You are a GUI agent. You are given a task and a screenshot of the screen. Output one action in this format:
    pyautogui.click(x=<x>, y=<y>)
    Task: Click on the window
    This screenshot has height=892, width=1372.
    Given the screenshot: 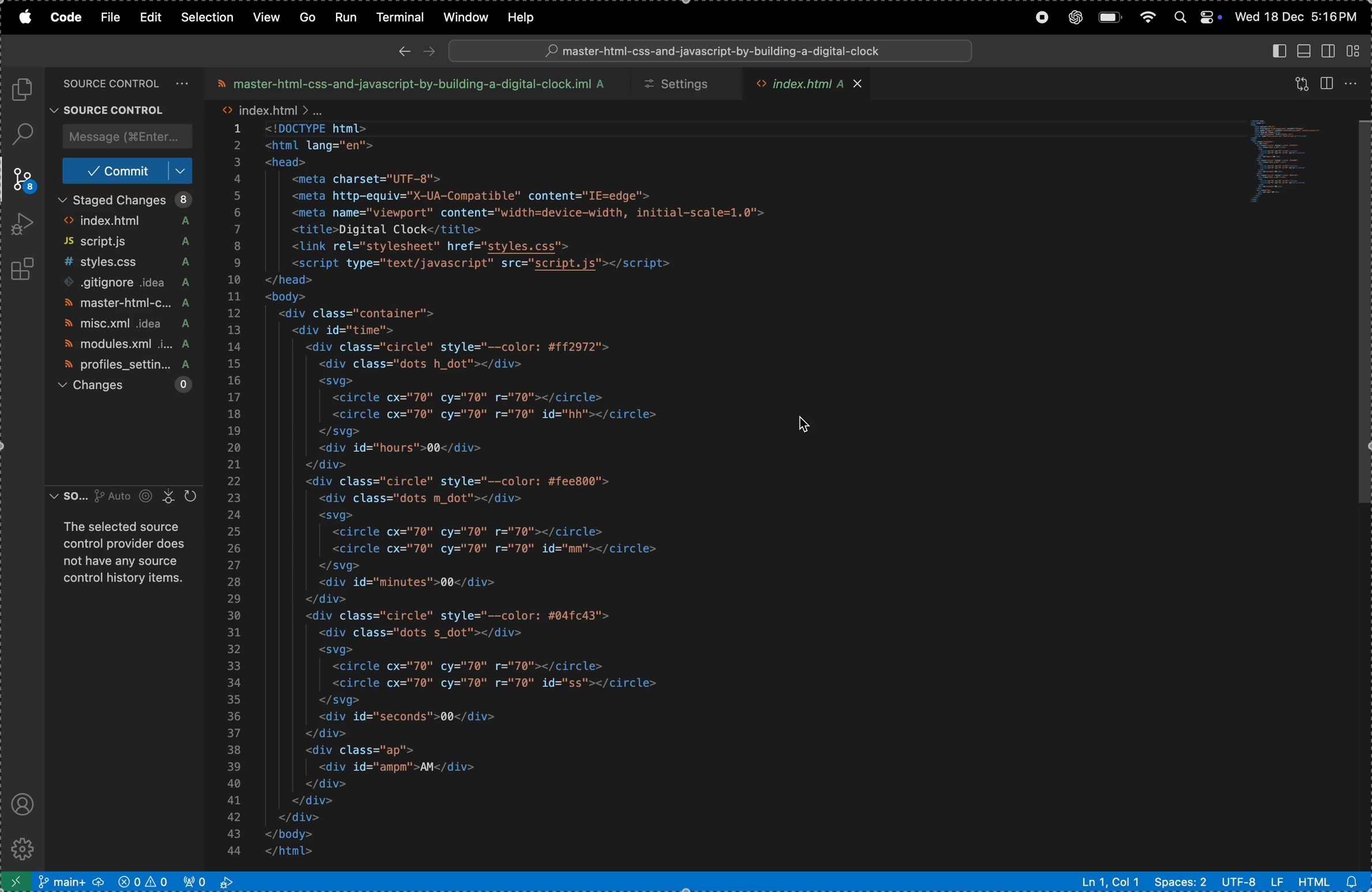 What is the action you would take?
    pyautogui.click(x=462, y=18)
    